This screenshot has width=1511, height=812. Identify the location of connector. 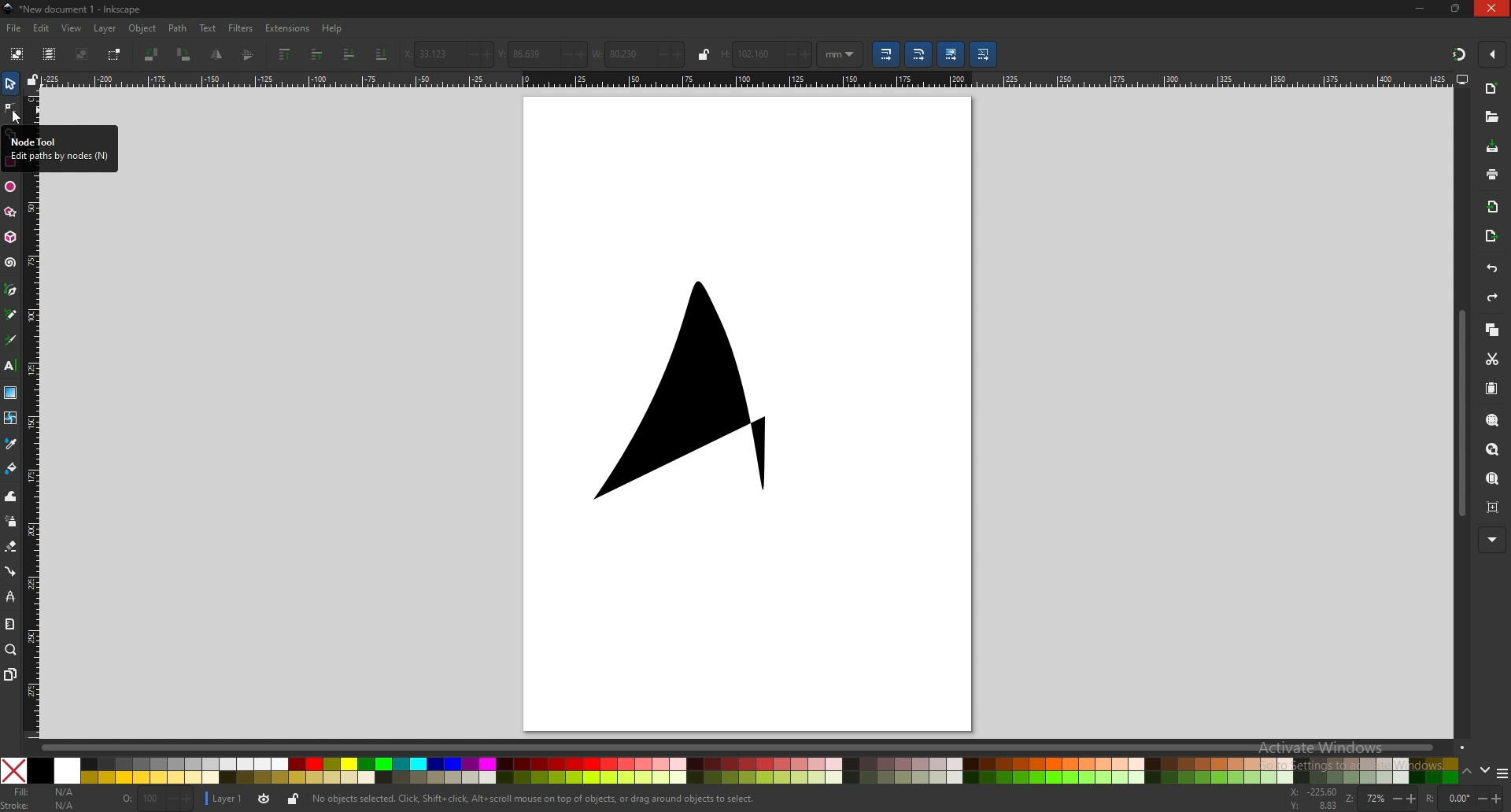
(10, 570).